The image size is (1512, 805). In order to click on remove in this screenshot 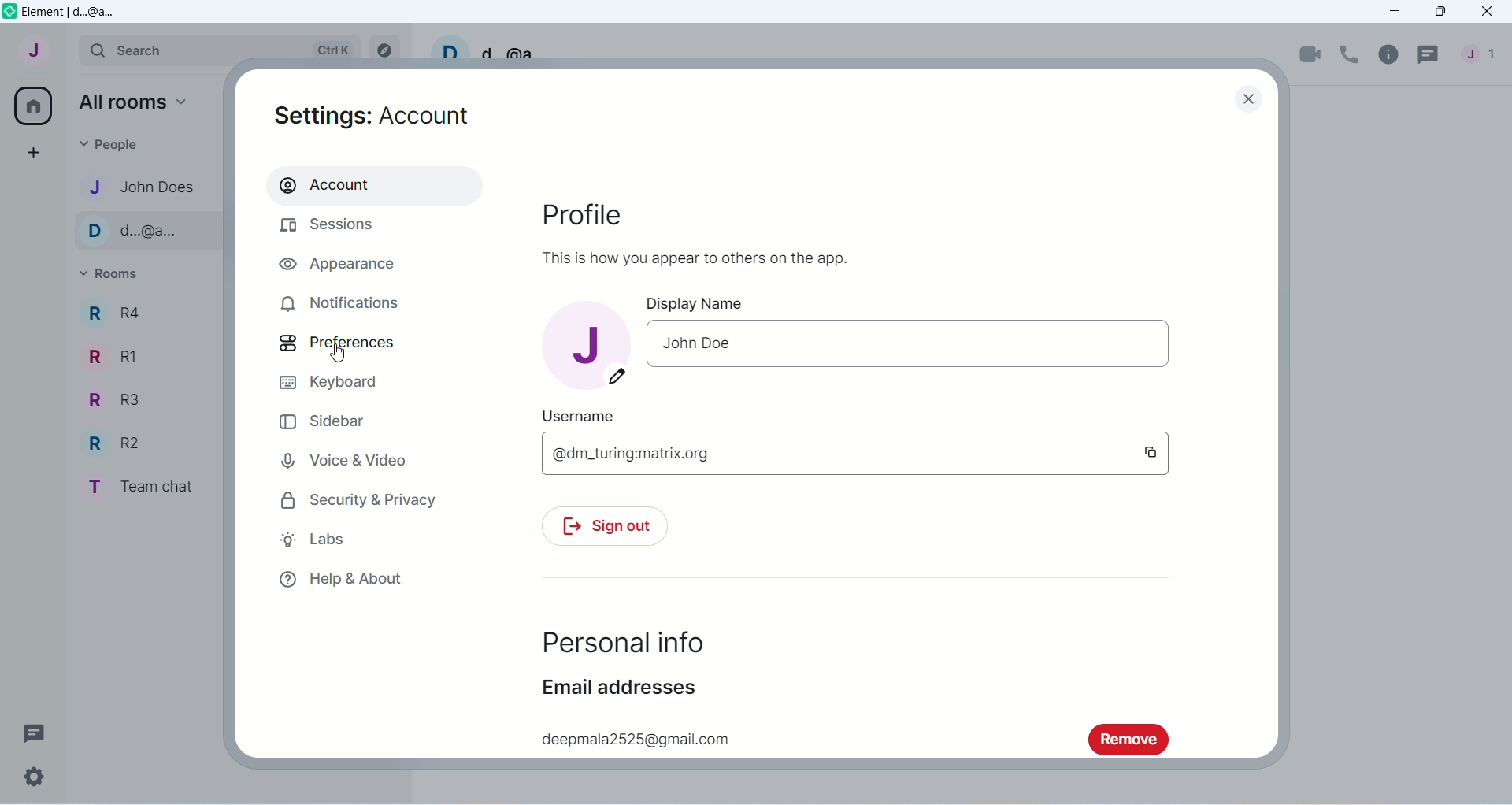, I will do `click(1135, 736)`.